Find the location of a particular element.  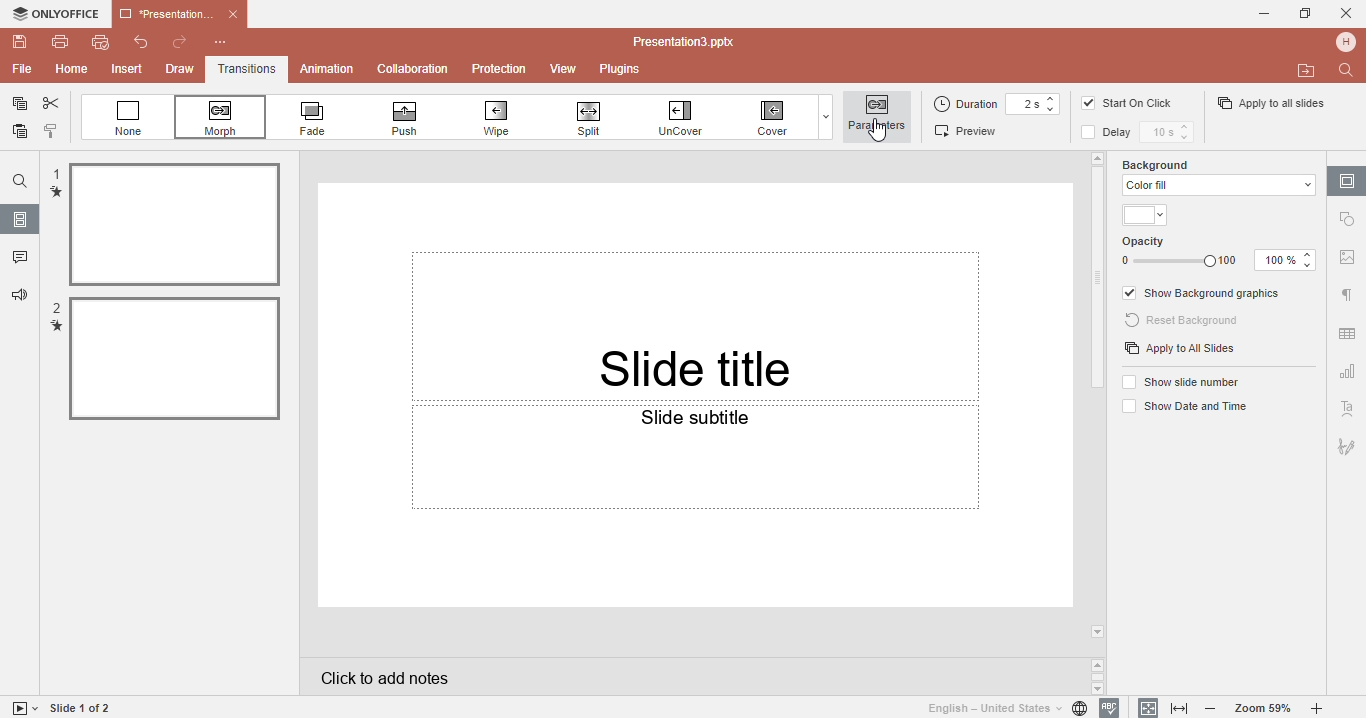

Show background graphics is located at coordinates (1204, 294).